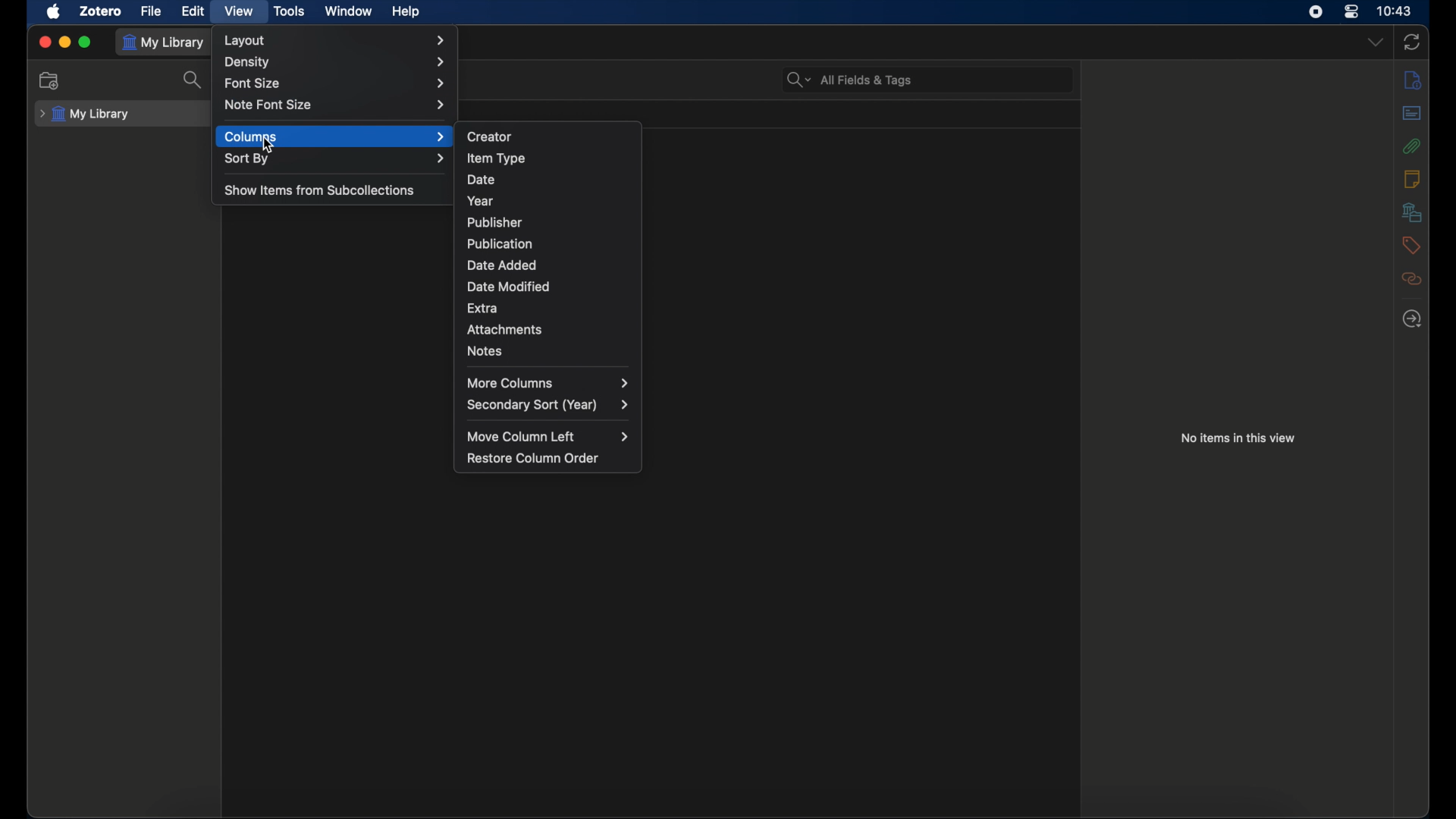 The height and width of the screenshot is (819, 1456). I want to click on minimize, so click(65, 42).